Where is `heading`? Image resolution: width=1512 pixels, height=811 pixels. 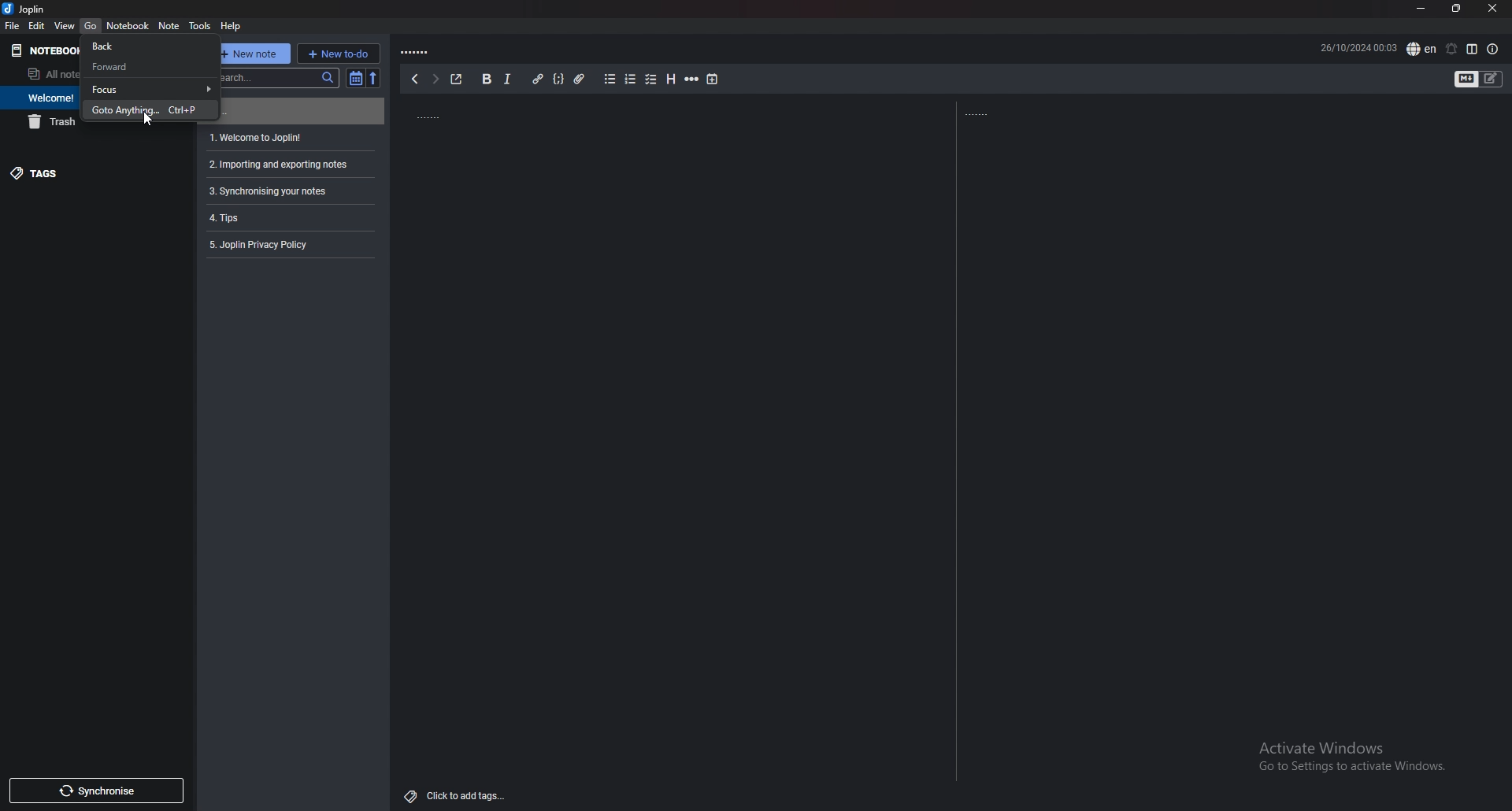
heading is located at coordinates (670, 79).